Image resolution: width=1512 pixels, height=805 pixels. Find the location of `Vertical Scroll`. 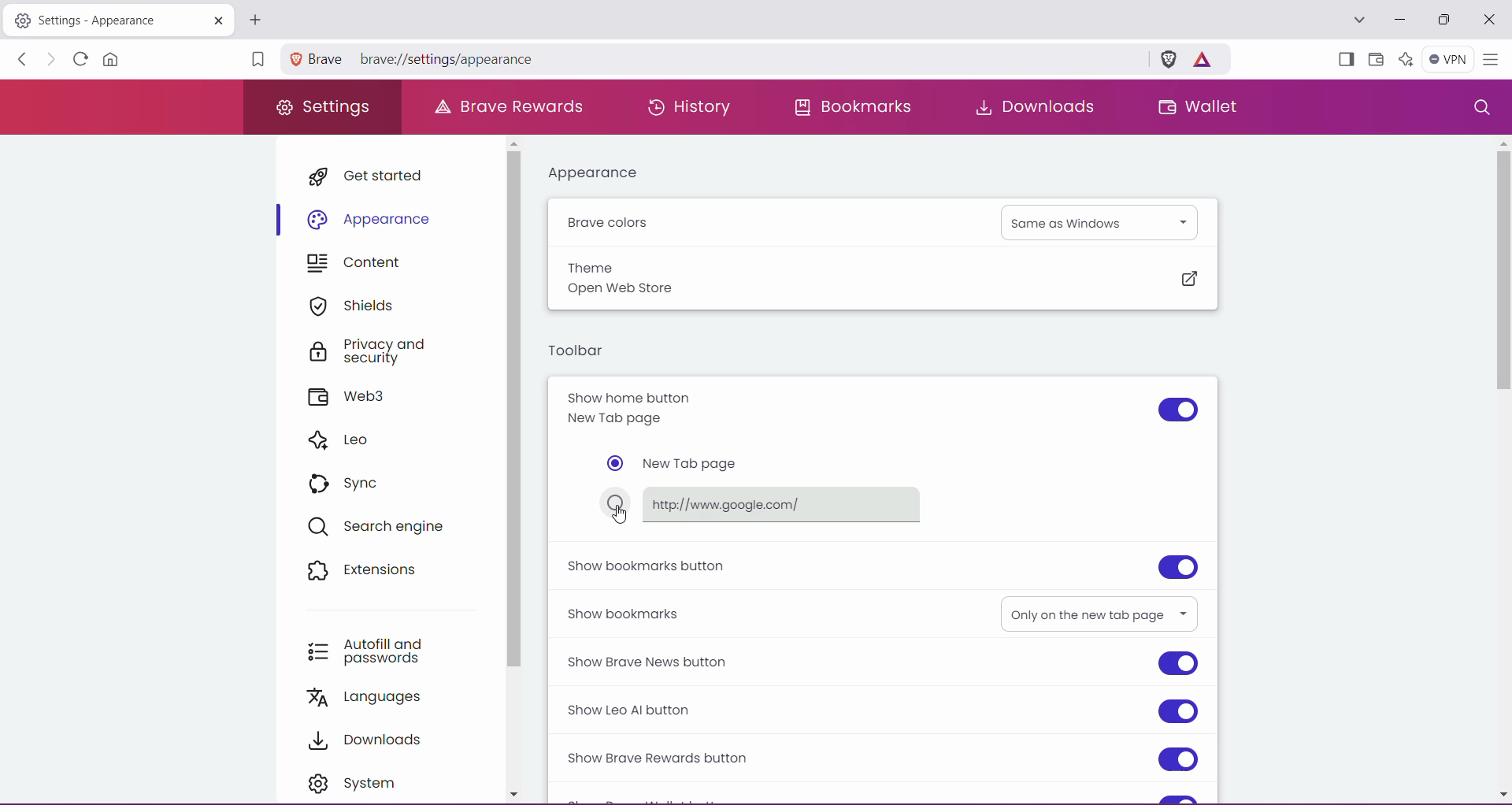

Vertical Scroll is located at coordinates (515, 472).